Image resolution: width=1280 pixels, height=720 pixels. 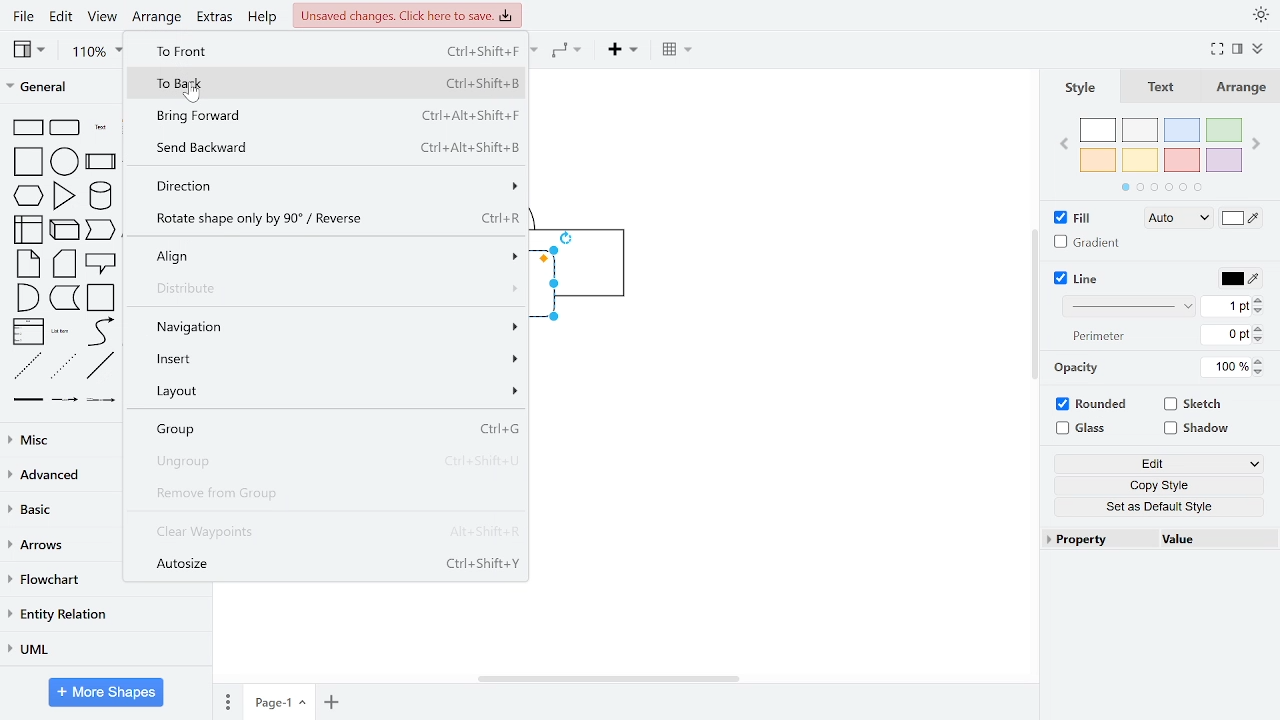 I want to click on advanced, so click(x=59, y=473).